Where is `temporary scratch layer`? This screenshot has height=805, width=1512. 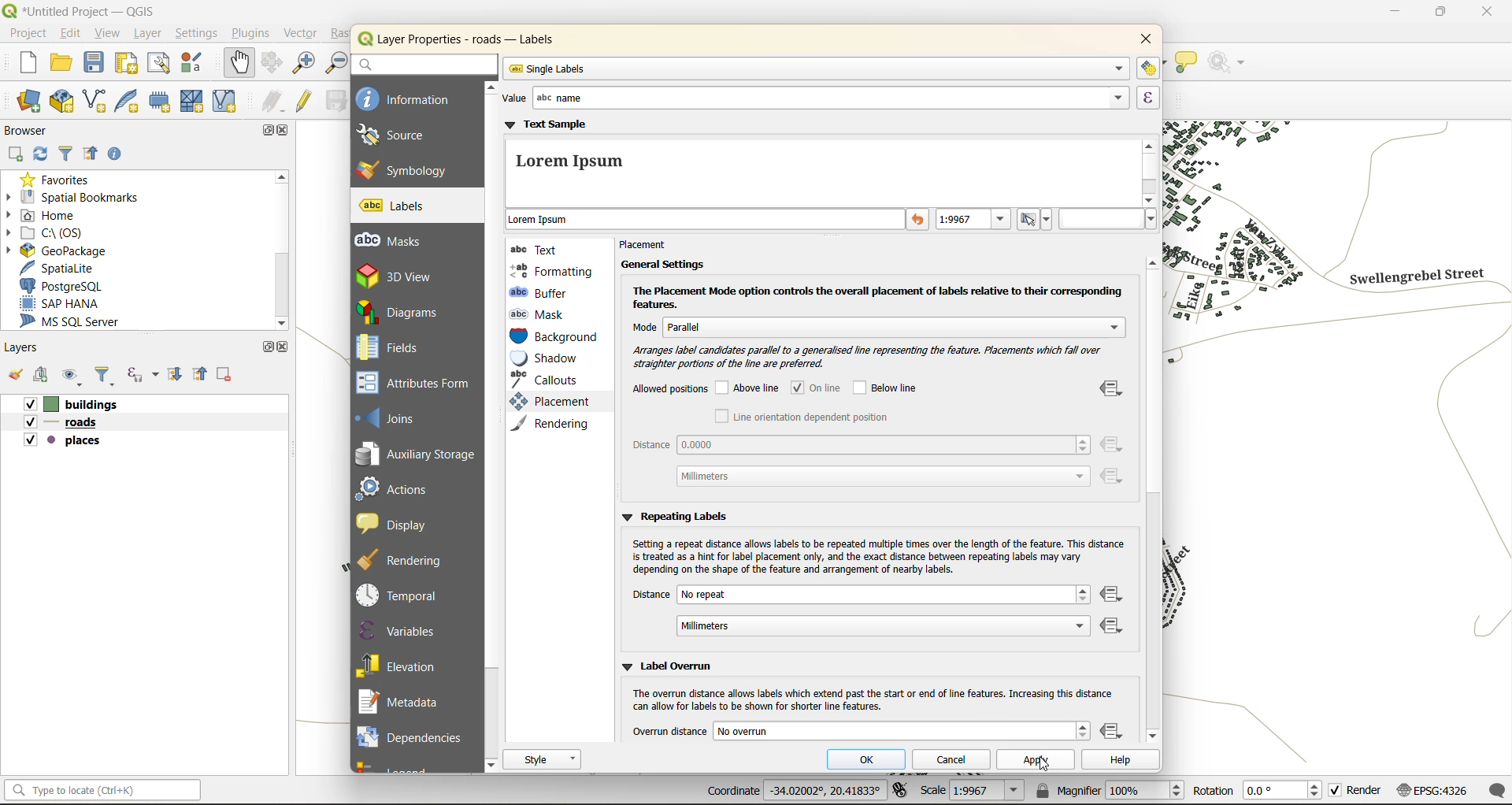
temporary scratch layer is located at coordinates (161, 101).